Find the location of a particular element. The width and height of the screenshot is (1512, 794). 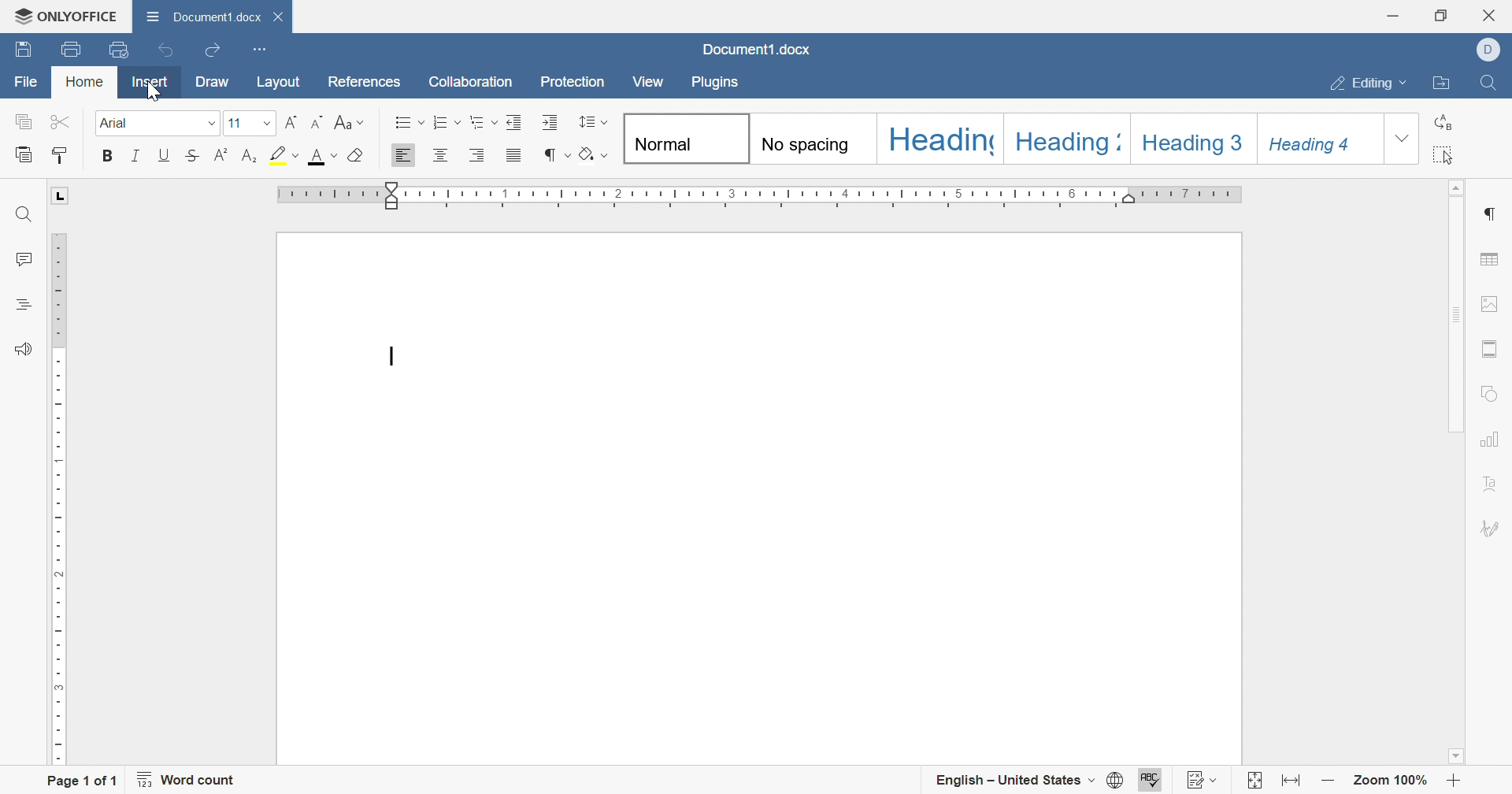

Restore down is located at coordinates (1440, 16).